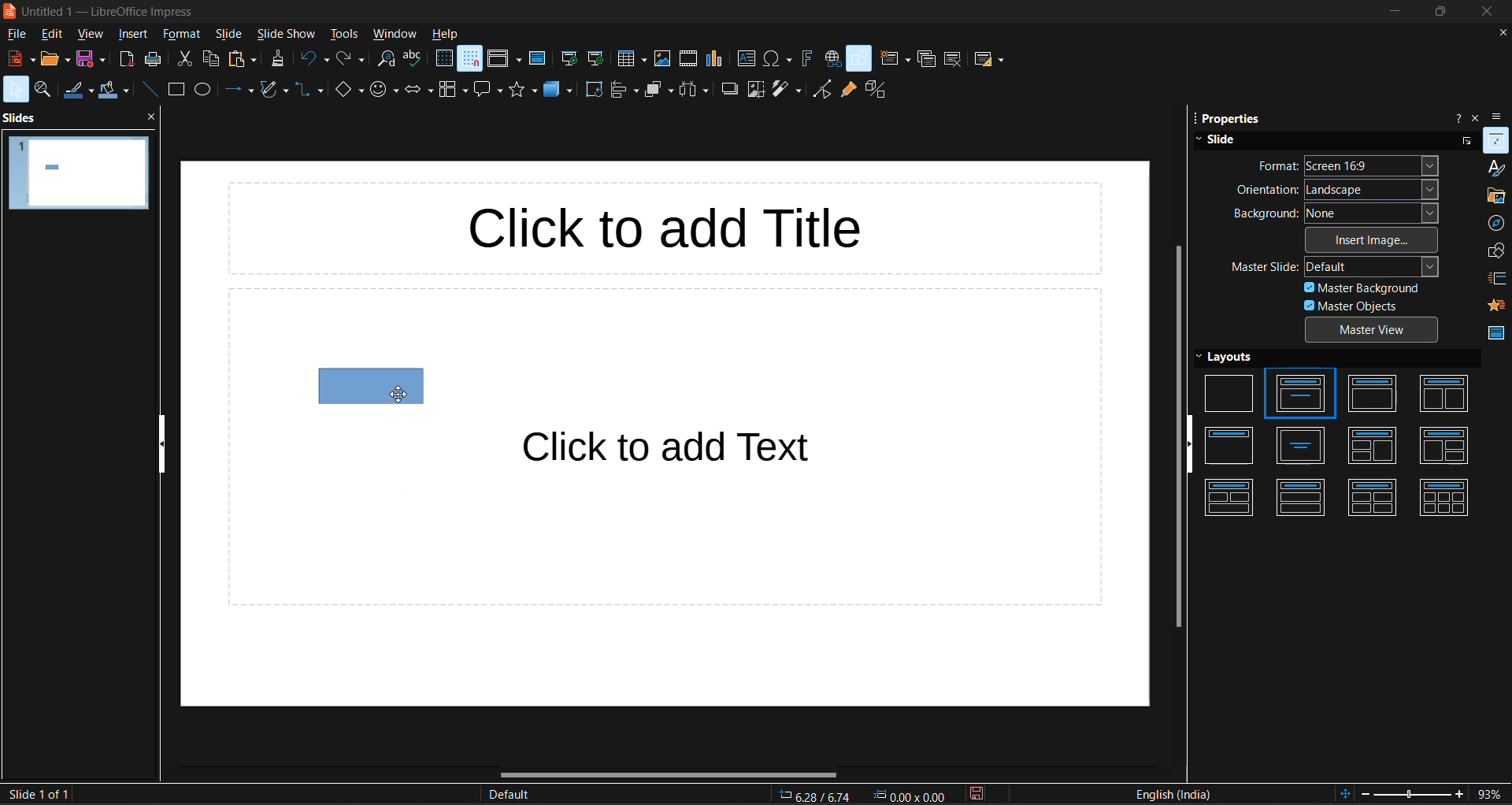 The height and width of the screenshot is (805, 1512). I want to click on cut, so click(184, 59).